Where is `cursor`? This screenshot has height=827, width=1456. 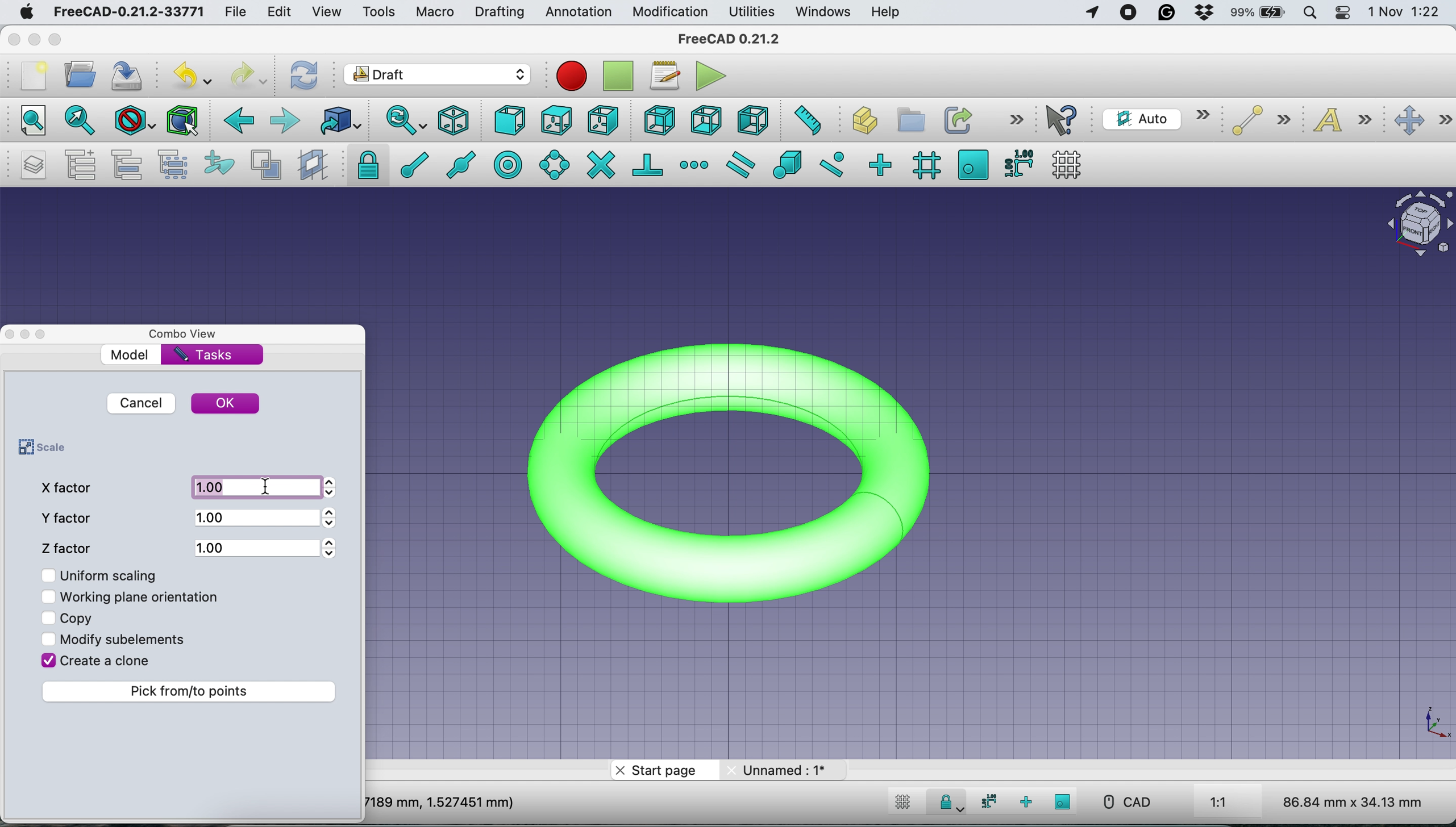
cursor is located at coordinates (269, 486).